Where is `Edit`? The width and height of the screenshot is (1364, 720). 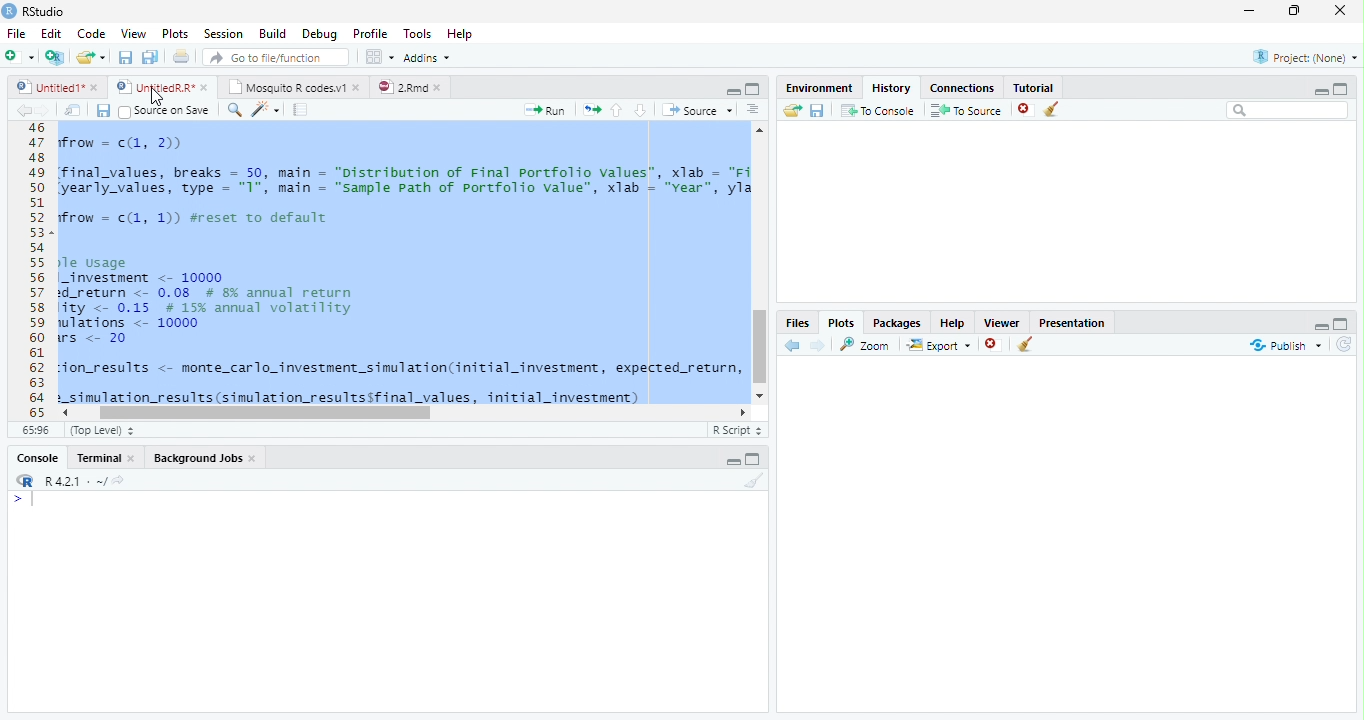 Edit is located at coordinates (50, 32).